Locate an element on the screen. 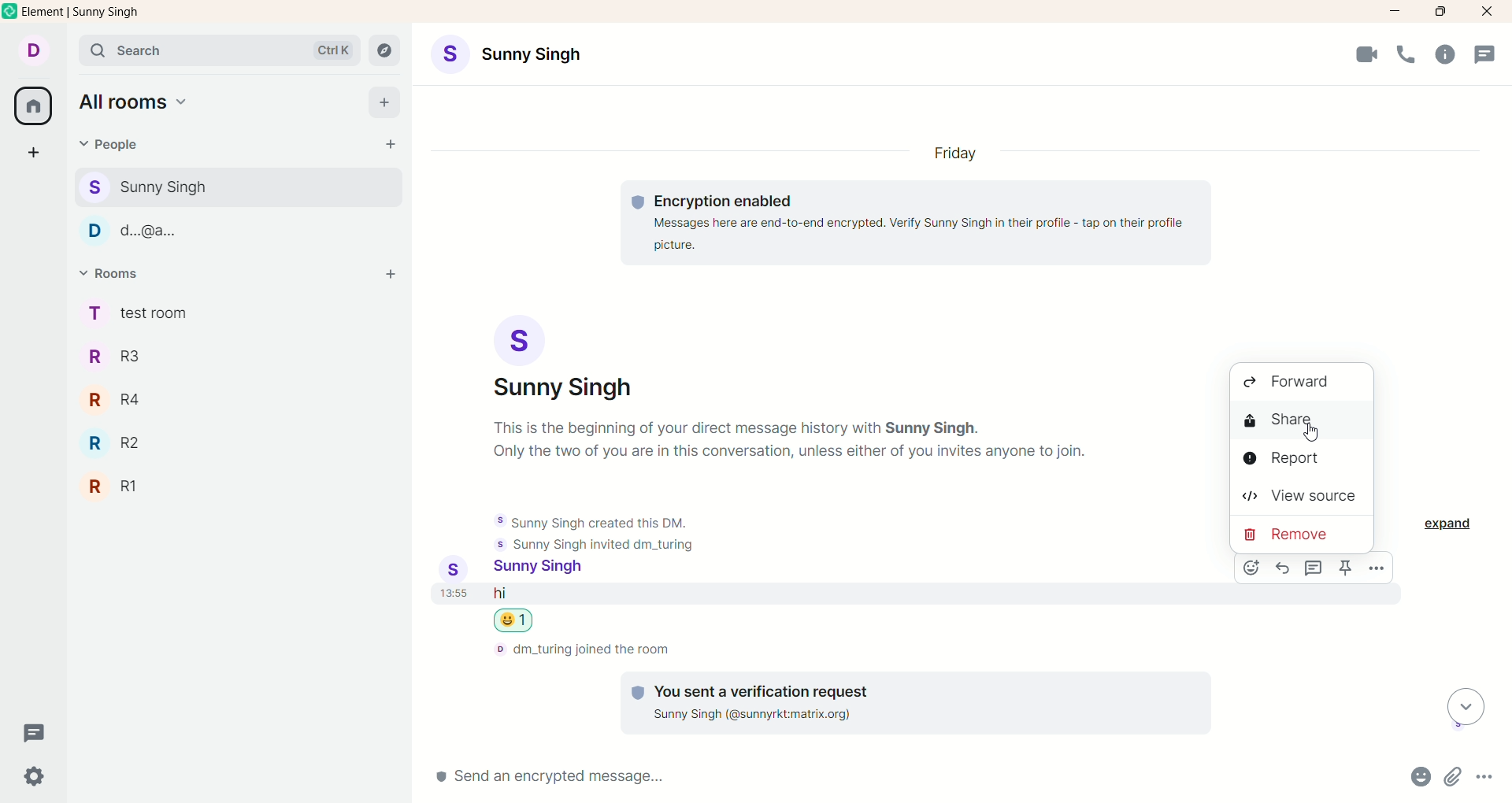 This screenshot has height=803, width=1512. account is located at coordinates (510, 56).